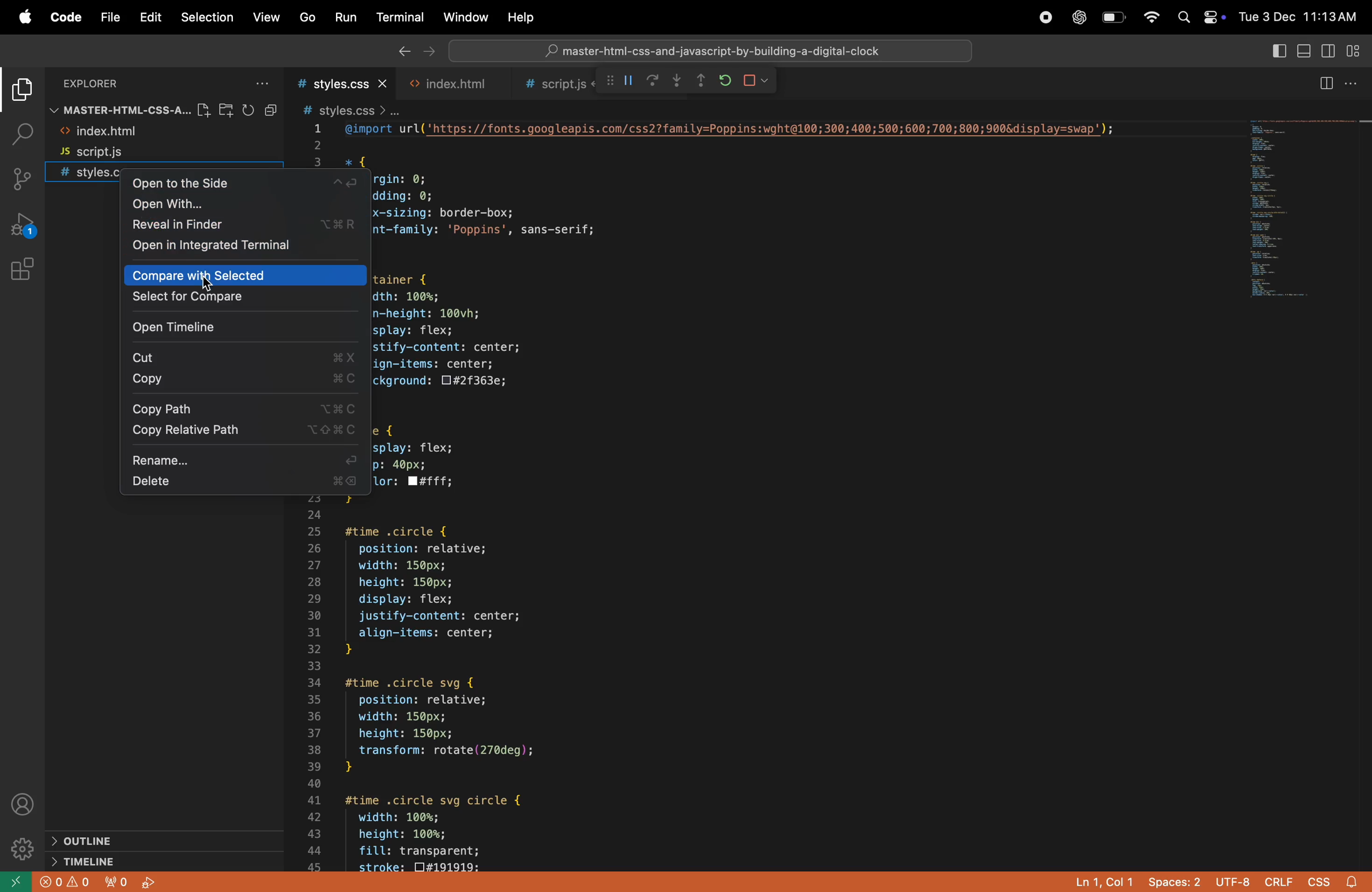 Image resolution: width=1372 pixels, height=892 pixels. What do you see at coordinates (342, 84) in the screenshot?
I see `style.css` at bounding box center [342, 84].